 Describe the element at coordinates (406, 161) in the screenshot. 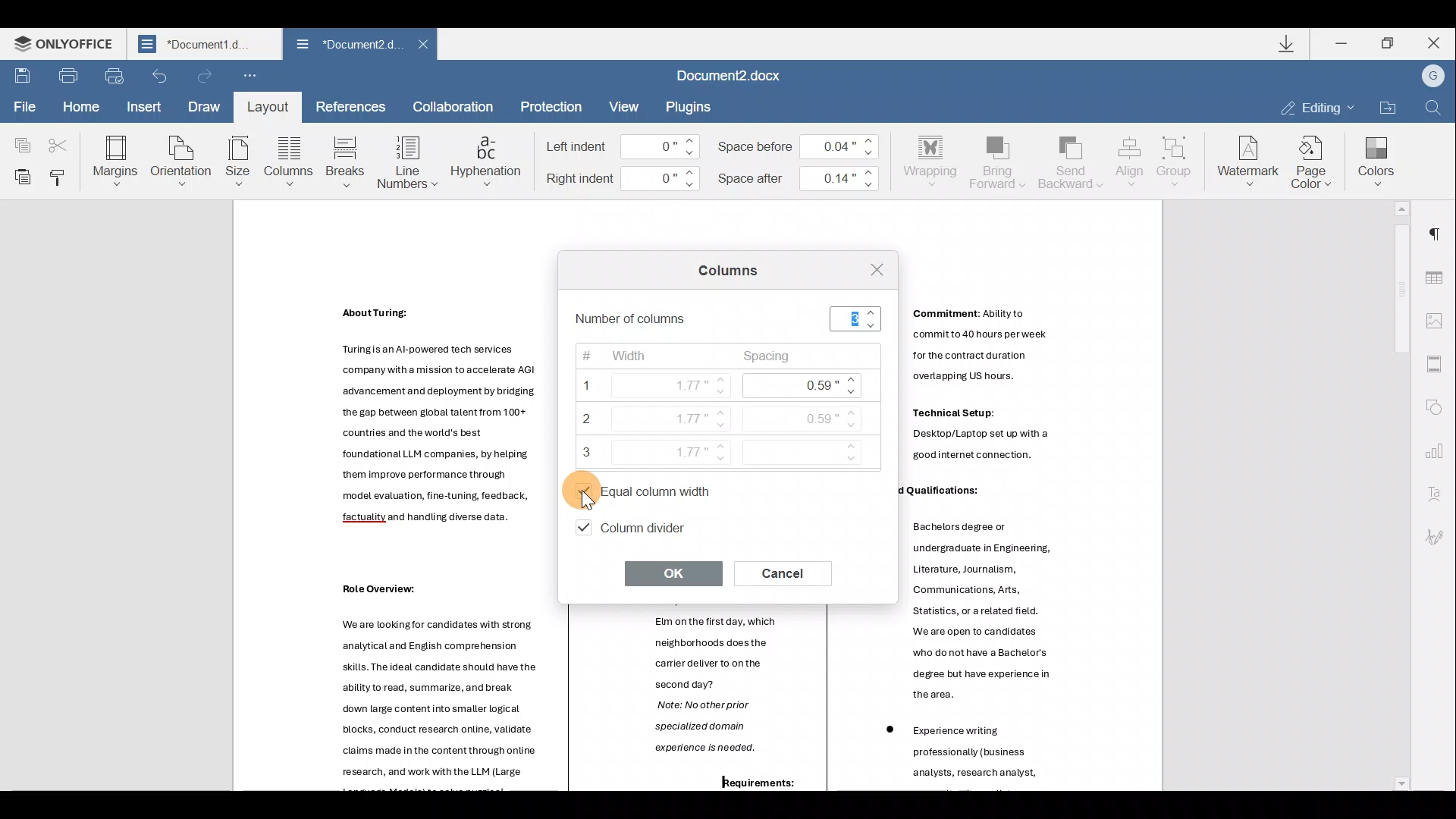

I see `Line numbers` at that location.